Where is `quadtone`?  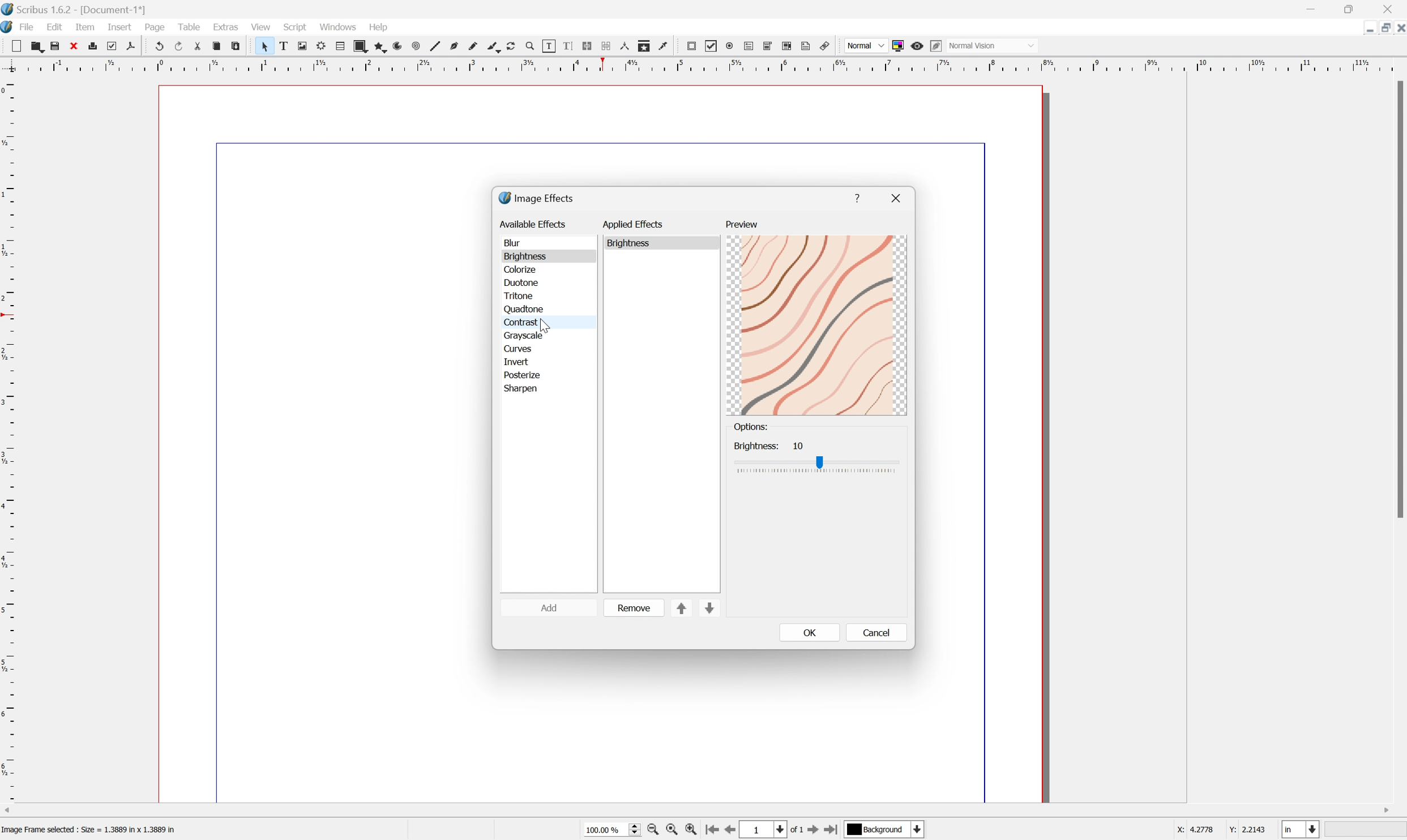
quadtone is located at coordinates (523, 307).